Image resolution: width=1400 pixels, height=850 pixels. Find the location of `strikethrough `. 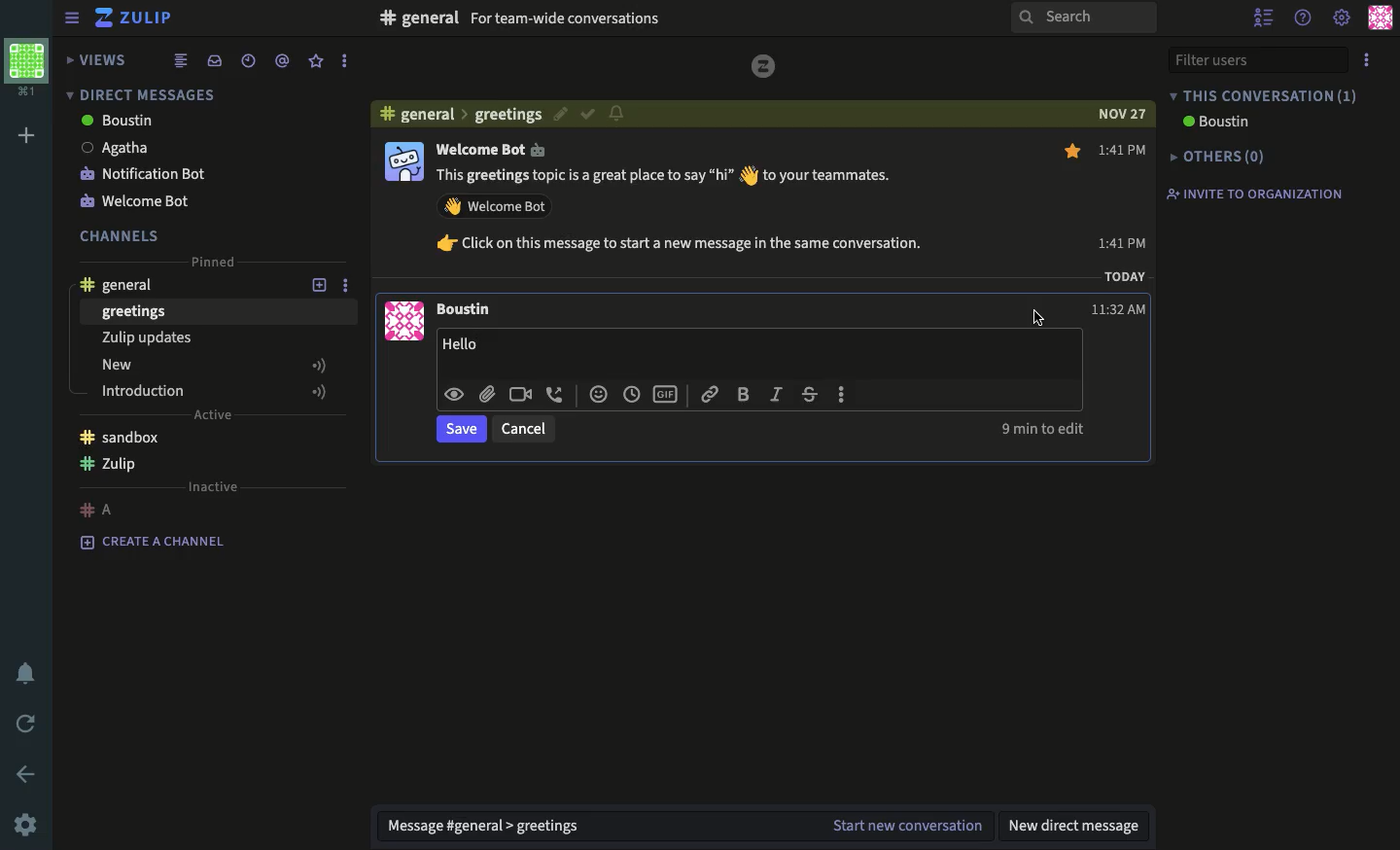

strikethrough  is located at coordinates (809, 396).